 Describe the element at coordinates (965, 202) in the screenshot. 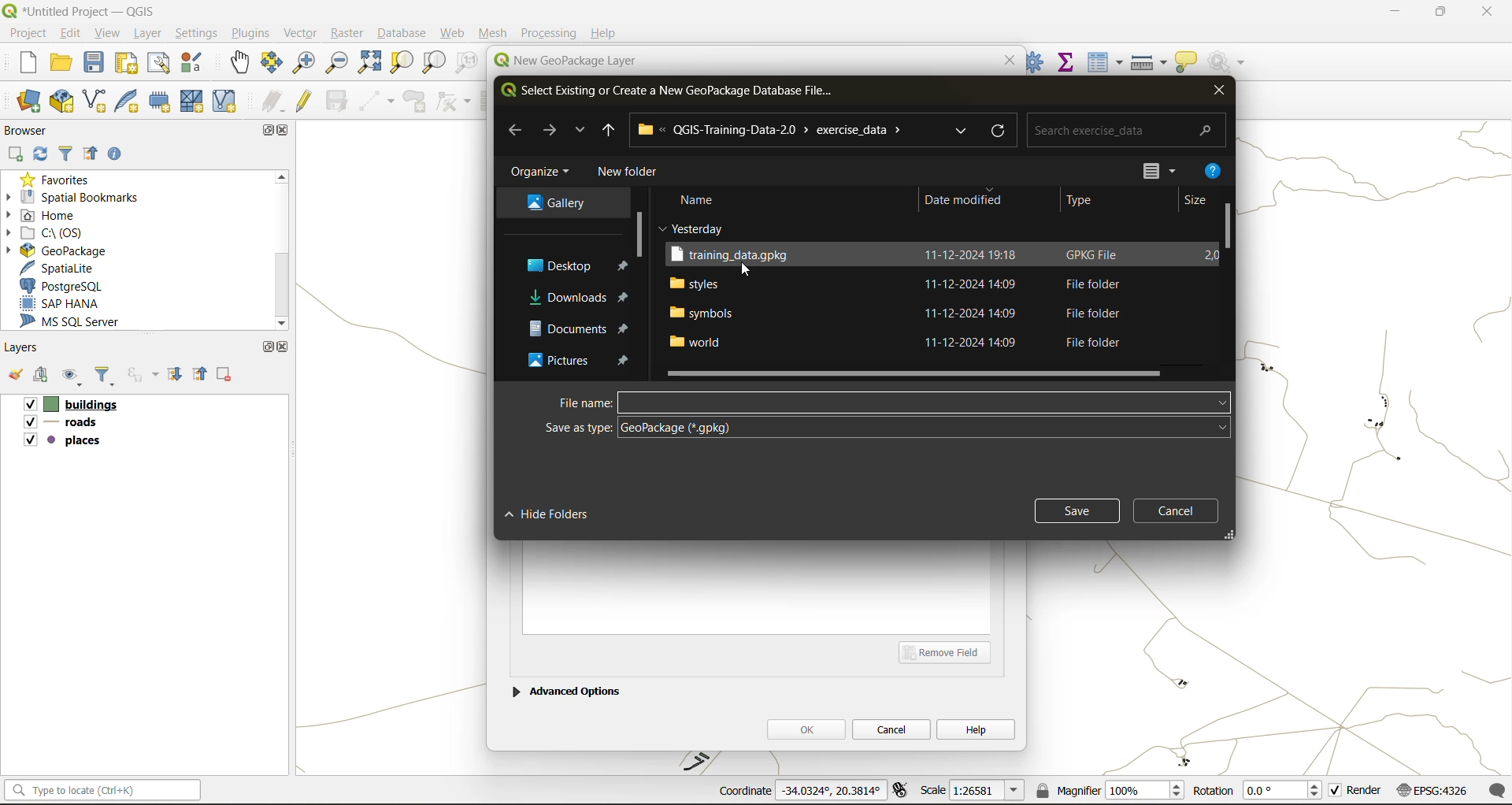

I see `date modified` at that location.